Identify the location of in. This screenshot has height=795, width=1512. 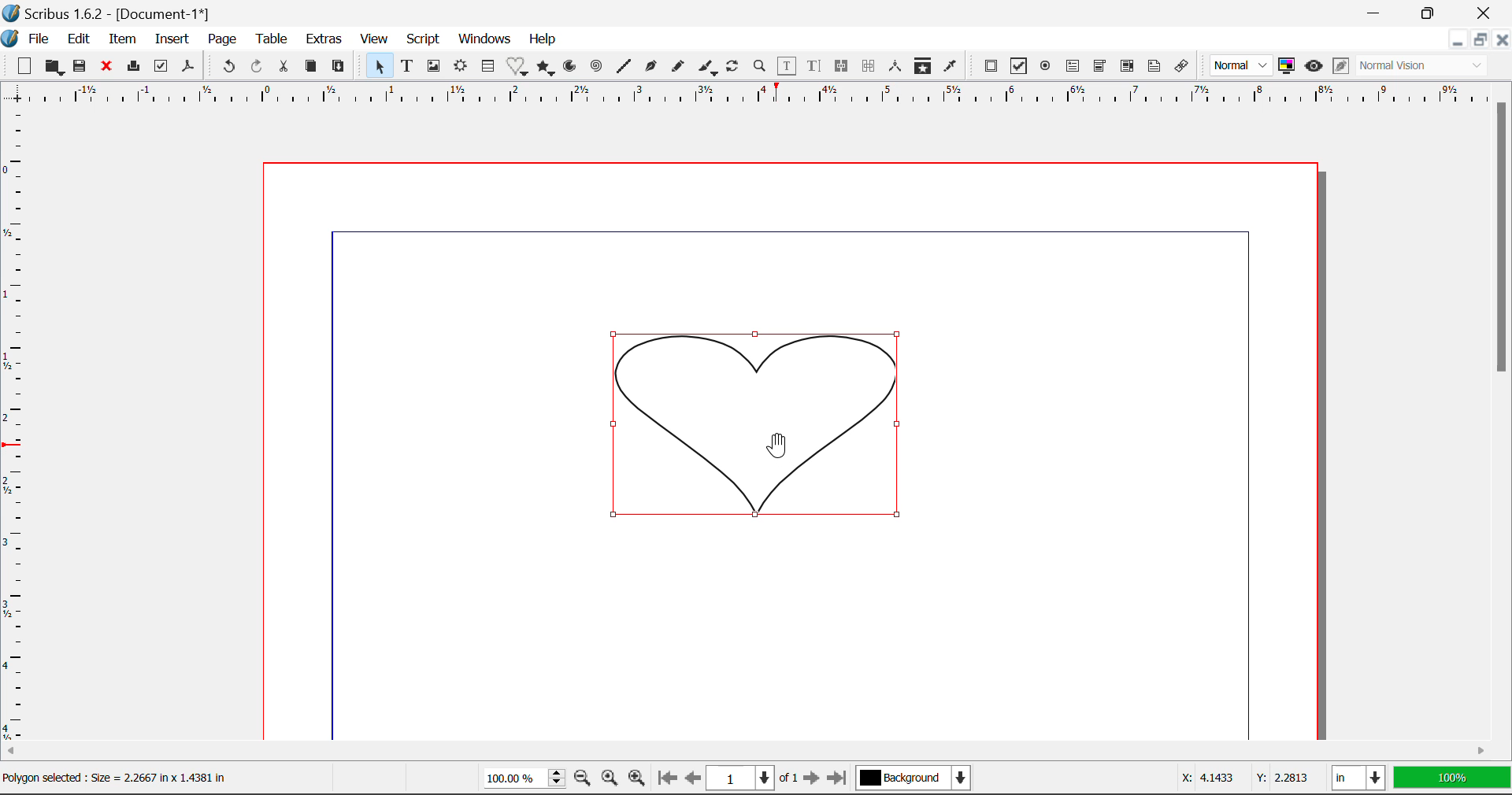
(1356, 778).